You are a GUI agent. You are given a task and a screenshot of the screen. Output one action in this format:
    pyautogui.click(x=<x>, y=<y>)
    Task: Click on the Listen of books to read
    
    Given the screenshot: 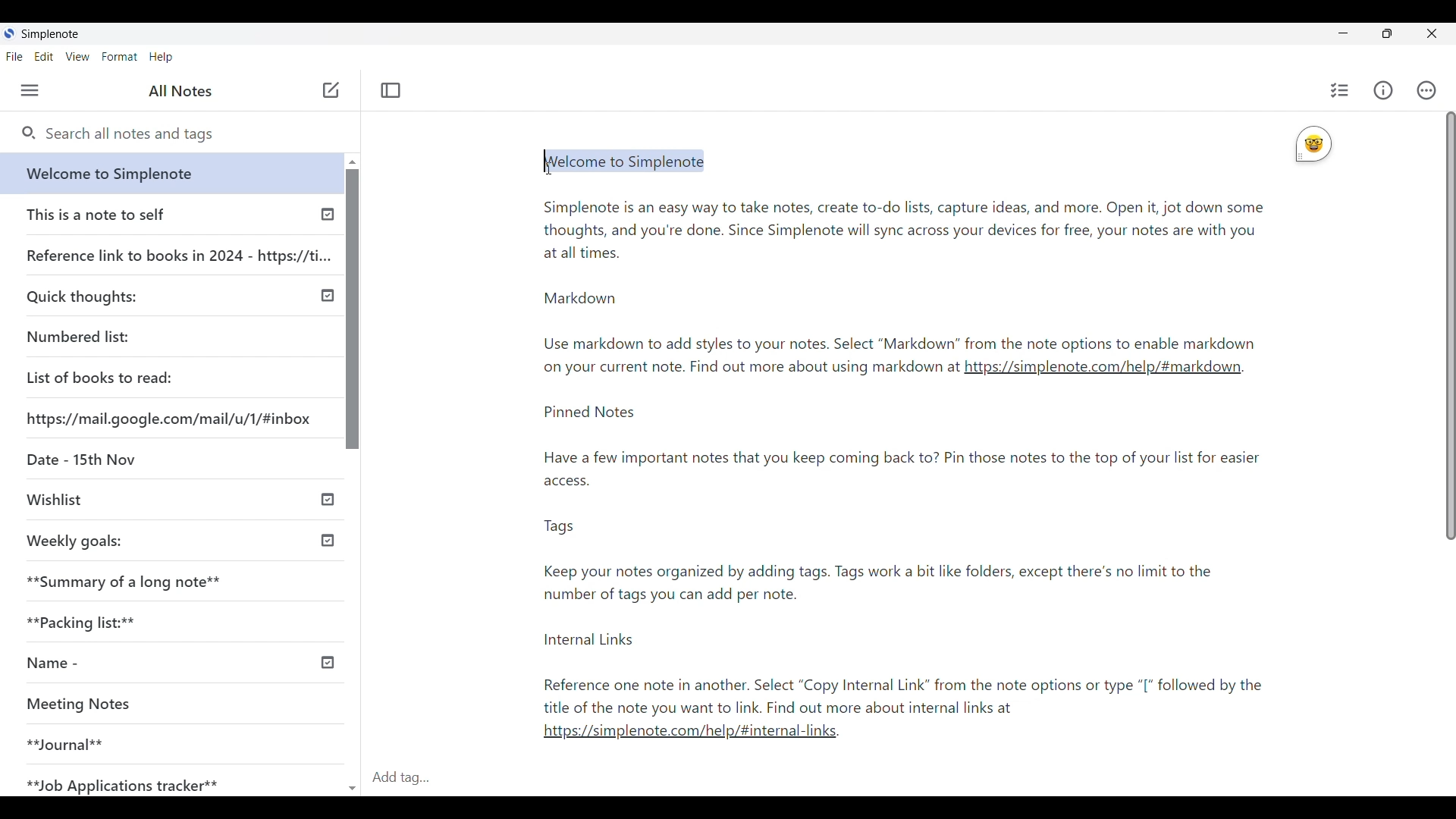 What is the action you would take?
    pyautogui.click(x=99, y=377)
    